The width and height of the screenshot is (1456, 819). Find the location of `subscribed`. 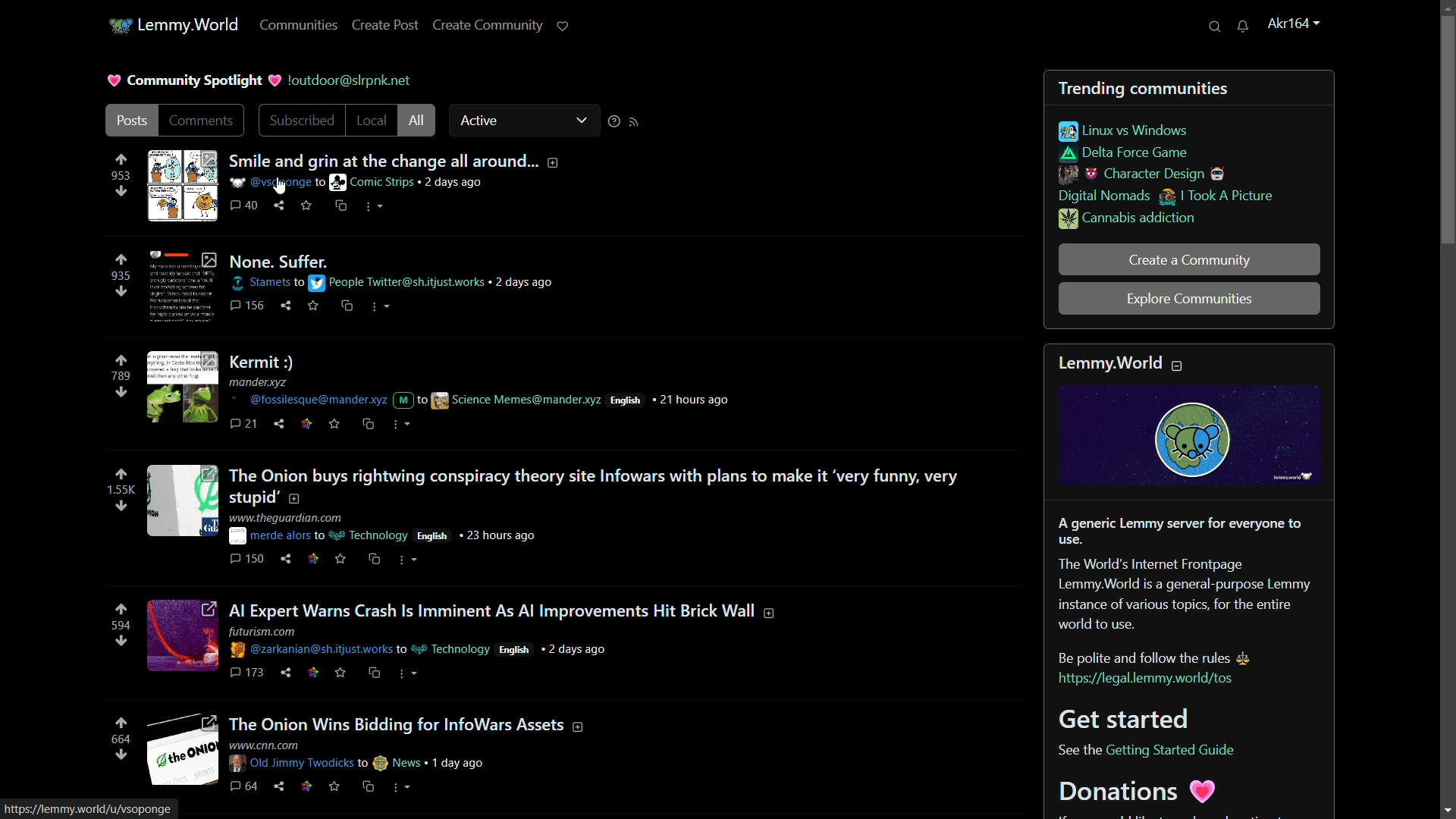

subscribed is located at coordinates (297, 121).